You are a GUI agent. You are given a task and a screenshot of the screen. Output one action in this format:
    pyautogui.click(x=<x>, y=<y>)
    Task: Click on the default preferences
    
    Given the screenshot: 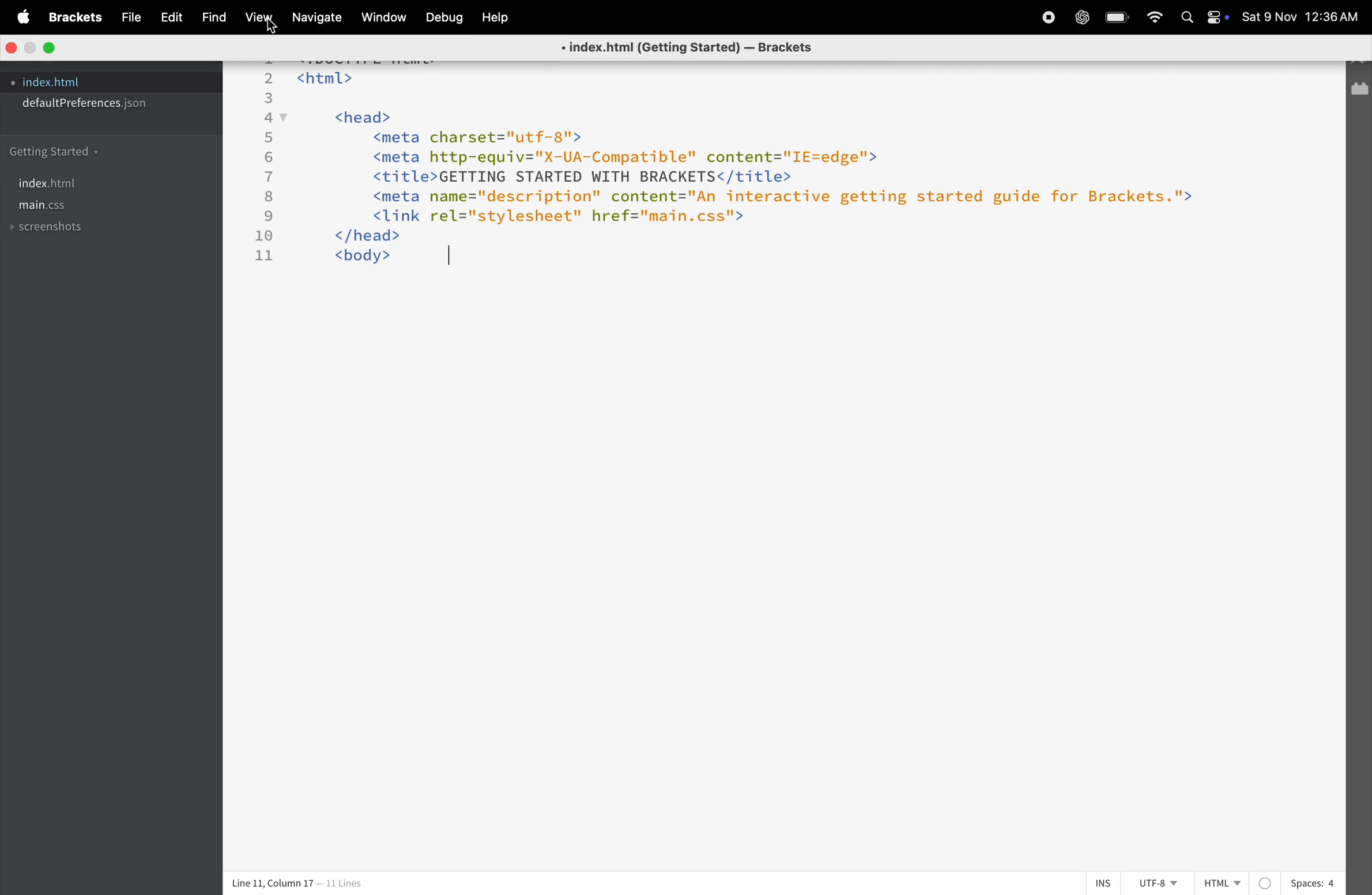 What is the action you would take?
    pyautogui.click(x=91, y=103)
    